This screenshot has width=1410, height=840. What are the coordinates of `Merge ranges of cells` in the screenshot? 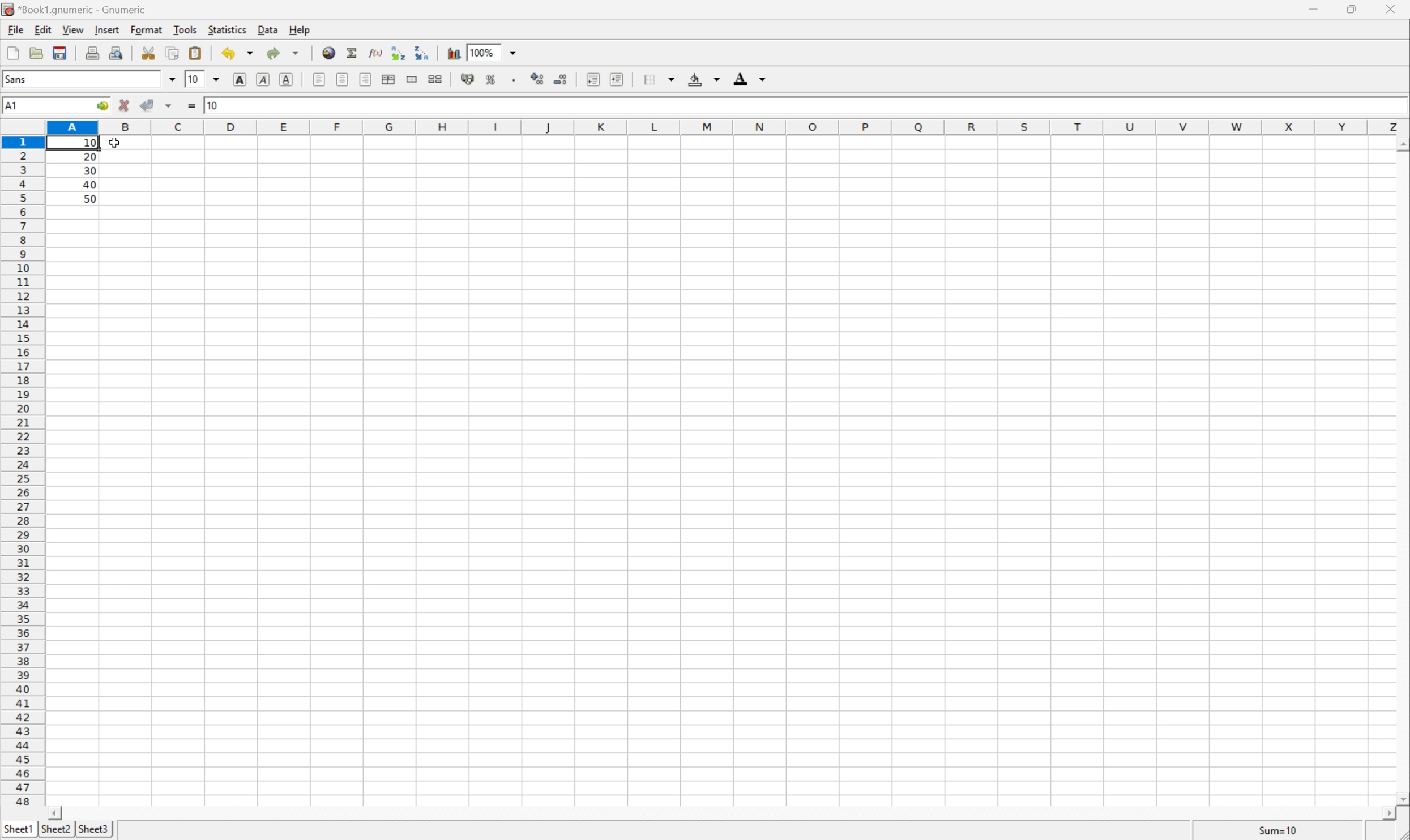 It's located at (411, 79).